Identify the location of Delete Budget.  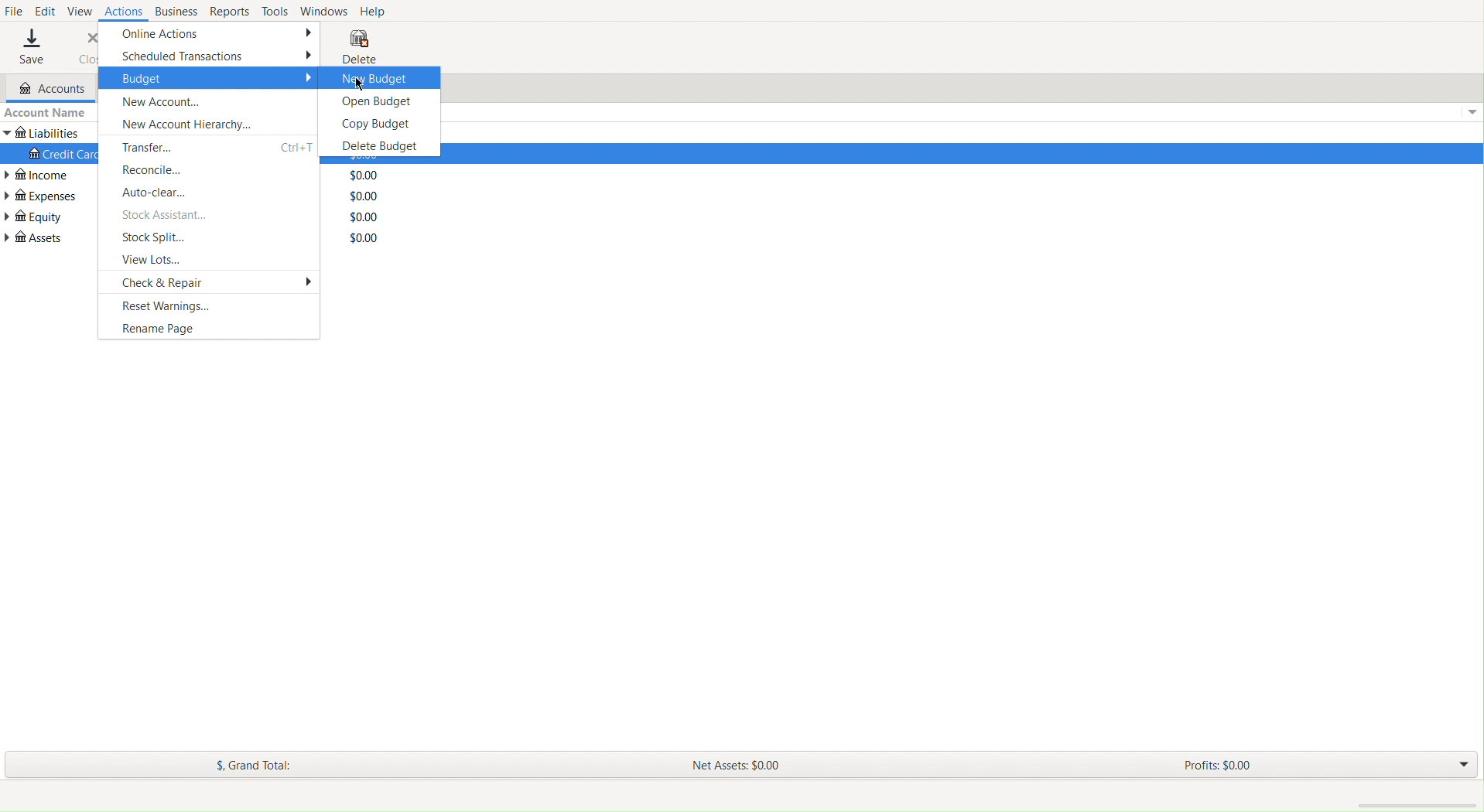
(374, 145).